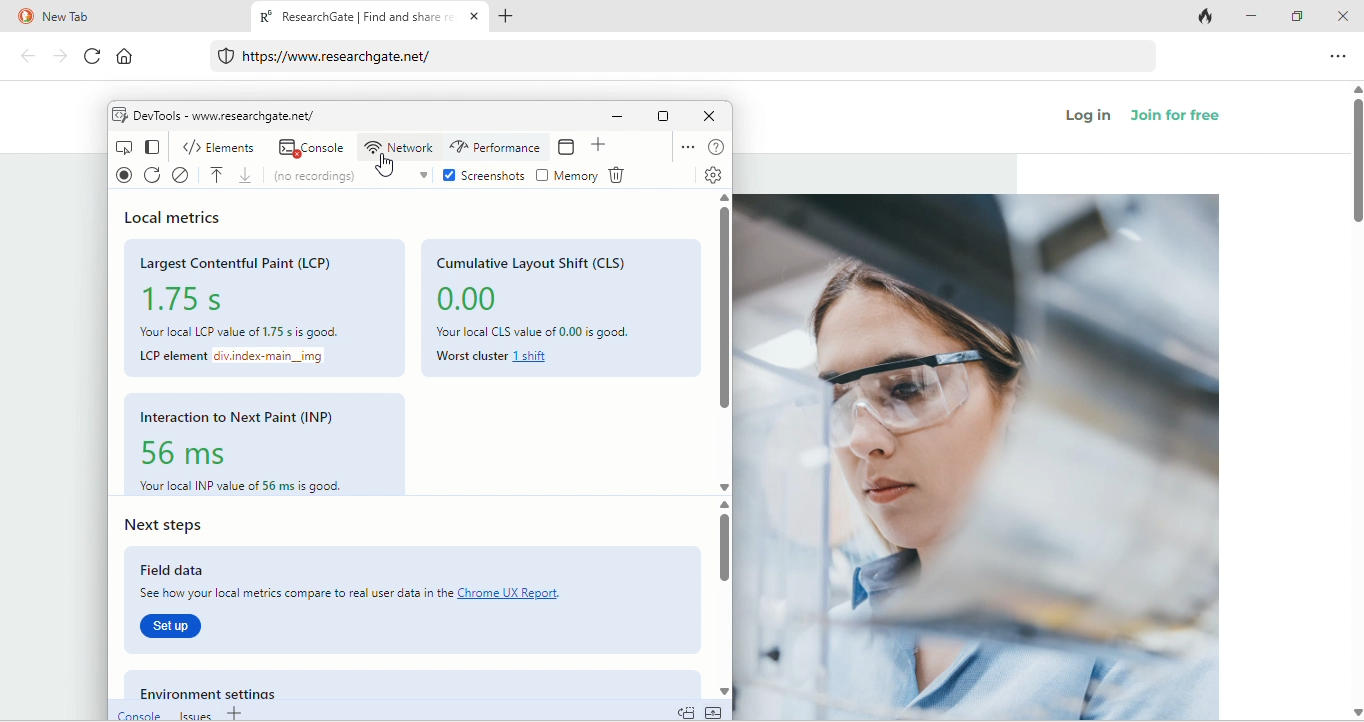 Image resolution: width=1364 pixels, height=722 pixels. I want to click on DevTools - www.researchgate.net/, so click(225, 115).